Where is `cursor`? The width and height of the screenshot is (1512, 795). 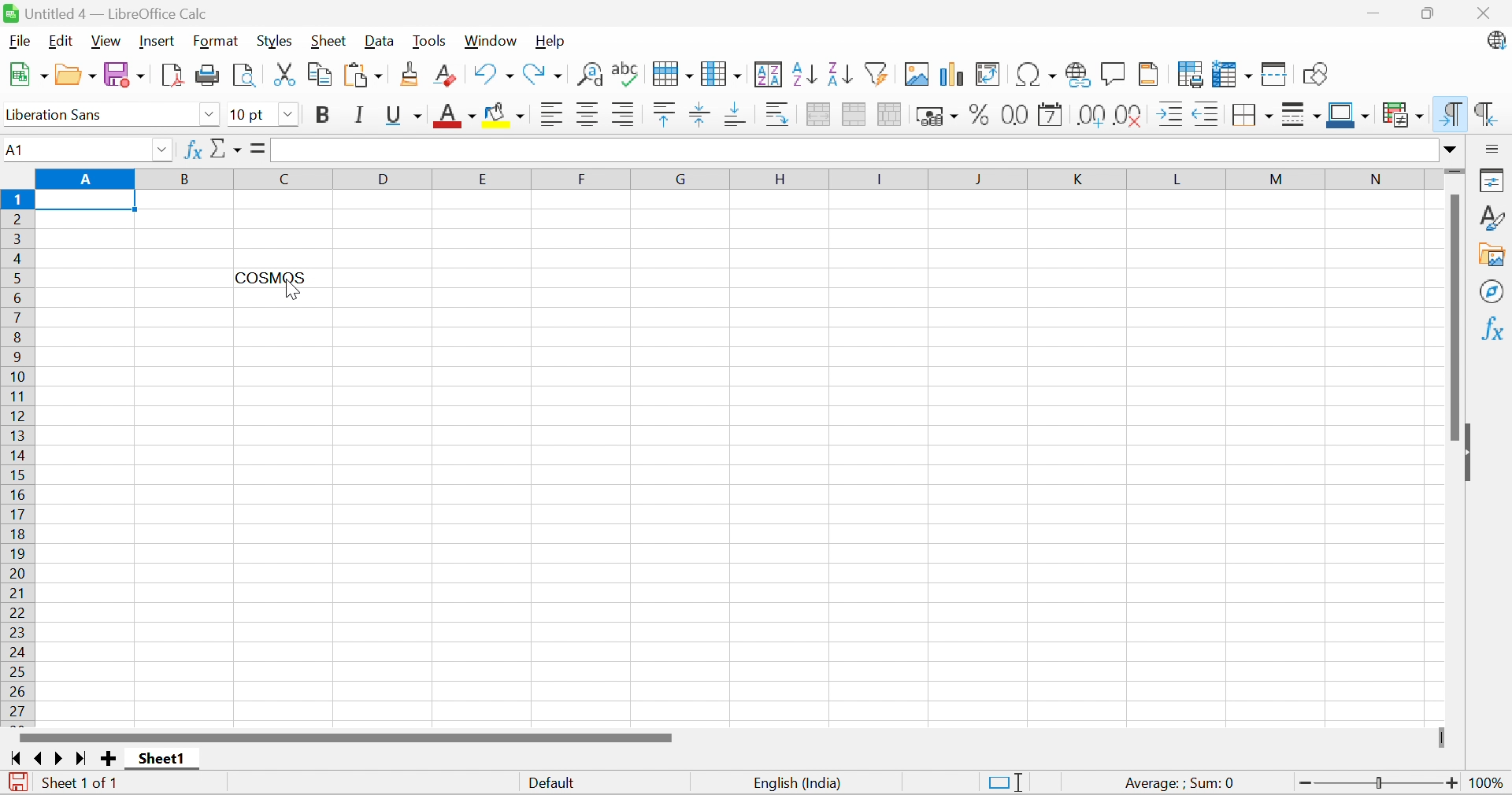
cursor is located at coordinates (298, 293).